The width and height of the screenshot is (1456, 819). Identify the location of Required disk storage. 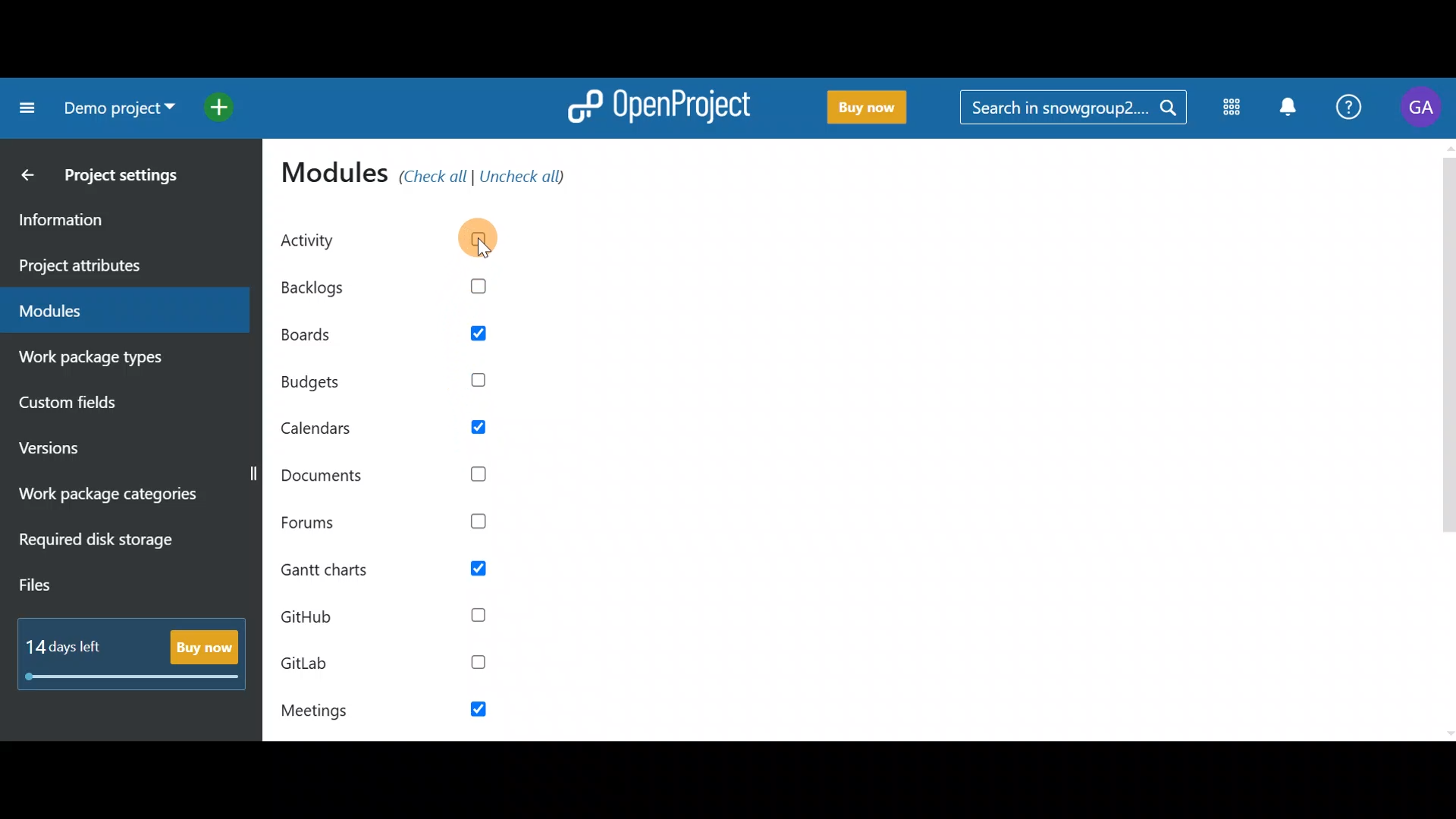
(112, 548).